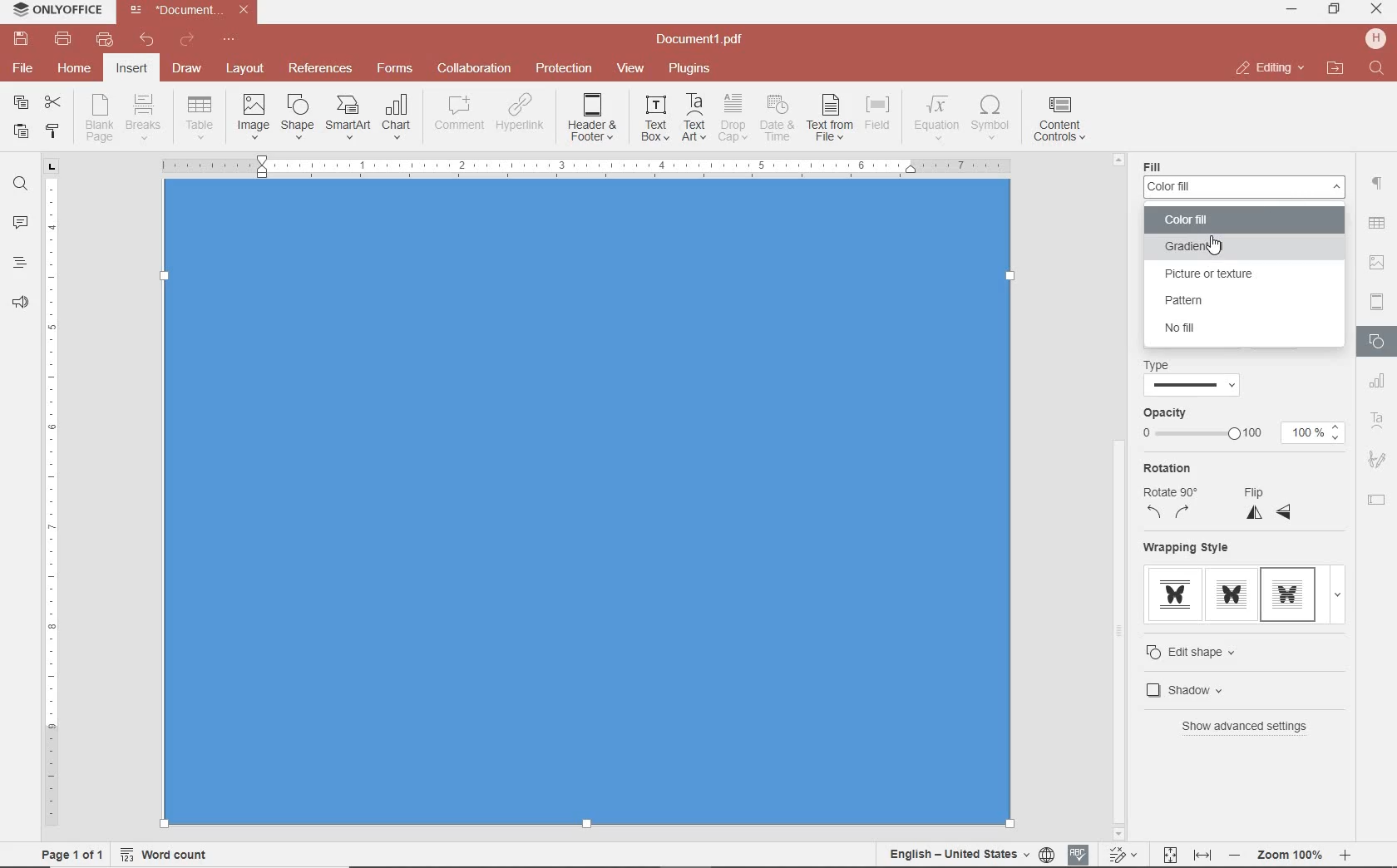 Image resolution: width=1397 pixels, height=868 pixels. Describe the element at coordinates (1207, 273) in the screenshot. I see `PICTURE OR TEXTURE` at that location.